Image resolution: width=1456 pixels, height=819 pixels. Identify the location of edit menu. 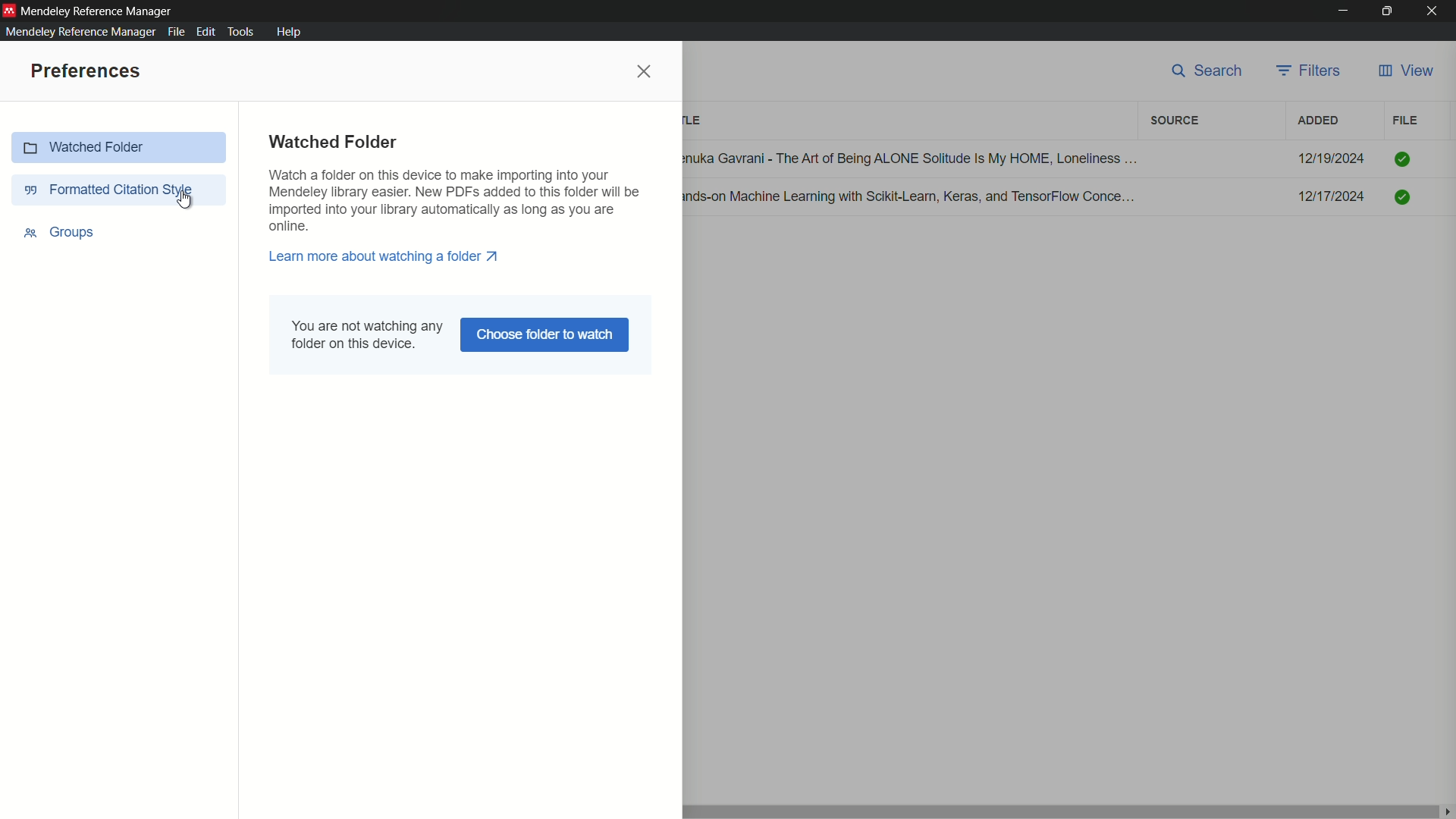
(206, 32).